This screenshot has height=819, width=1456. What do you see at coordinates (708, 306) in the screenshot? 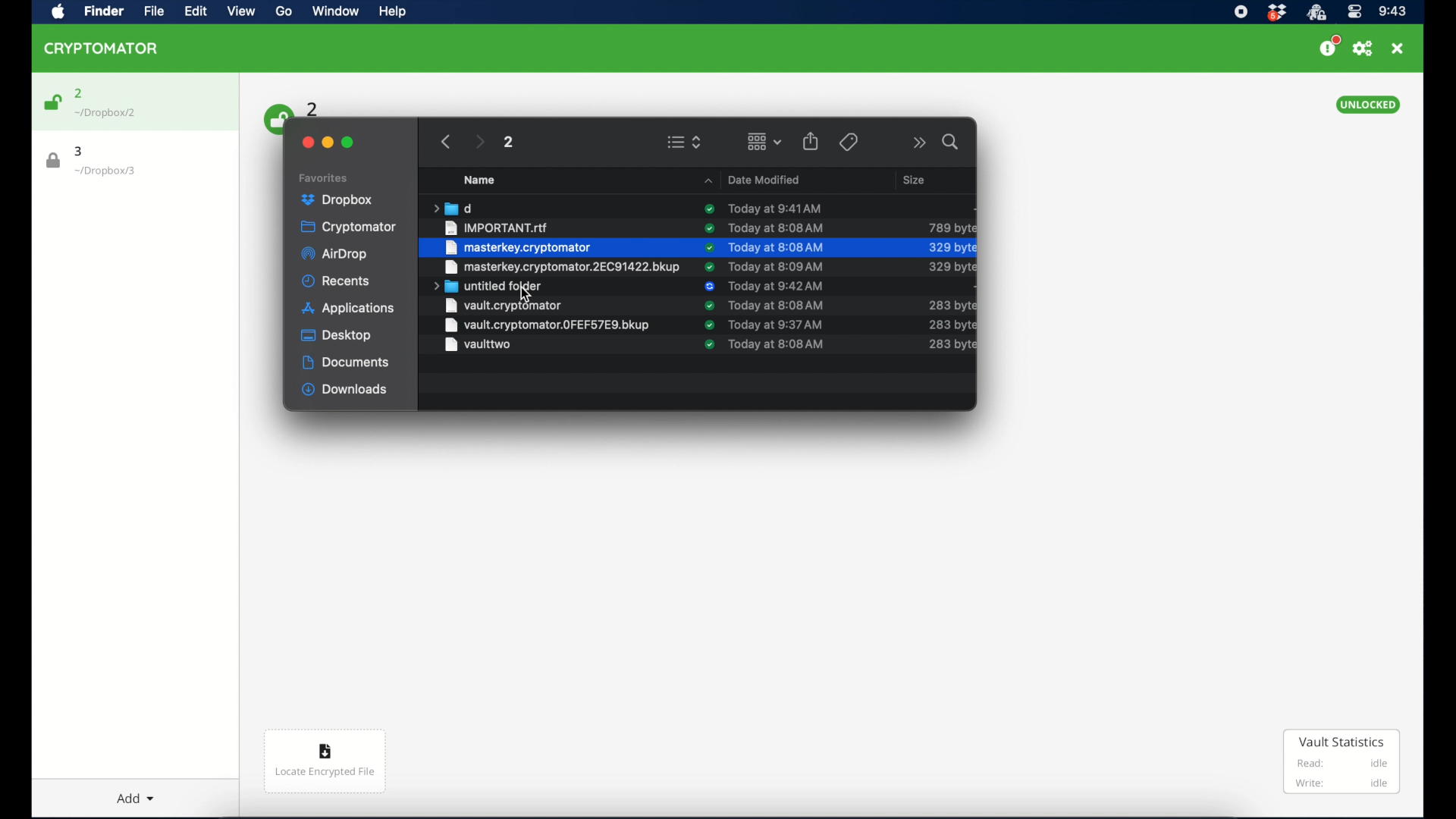
I see `sync` at bounding box center [708, 306].